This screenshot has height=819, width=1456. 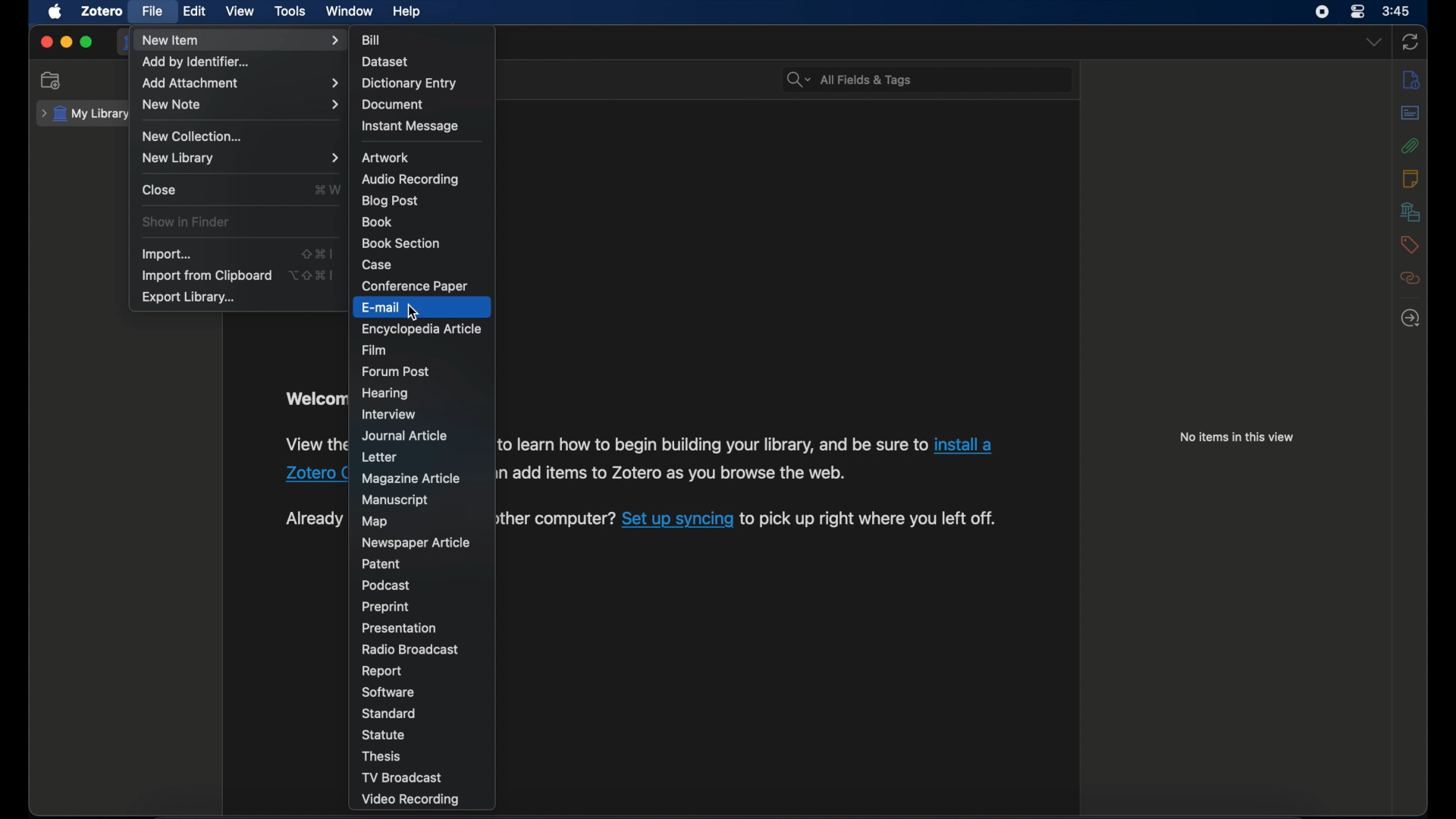 I want to click on add by identifier, so click(x=195, y=63).